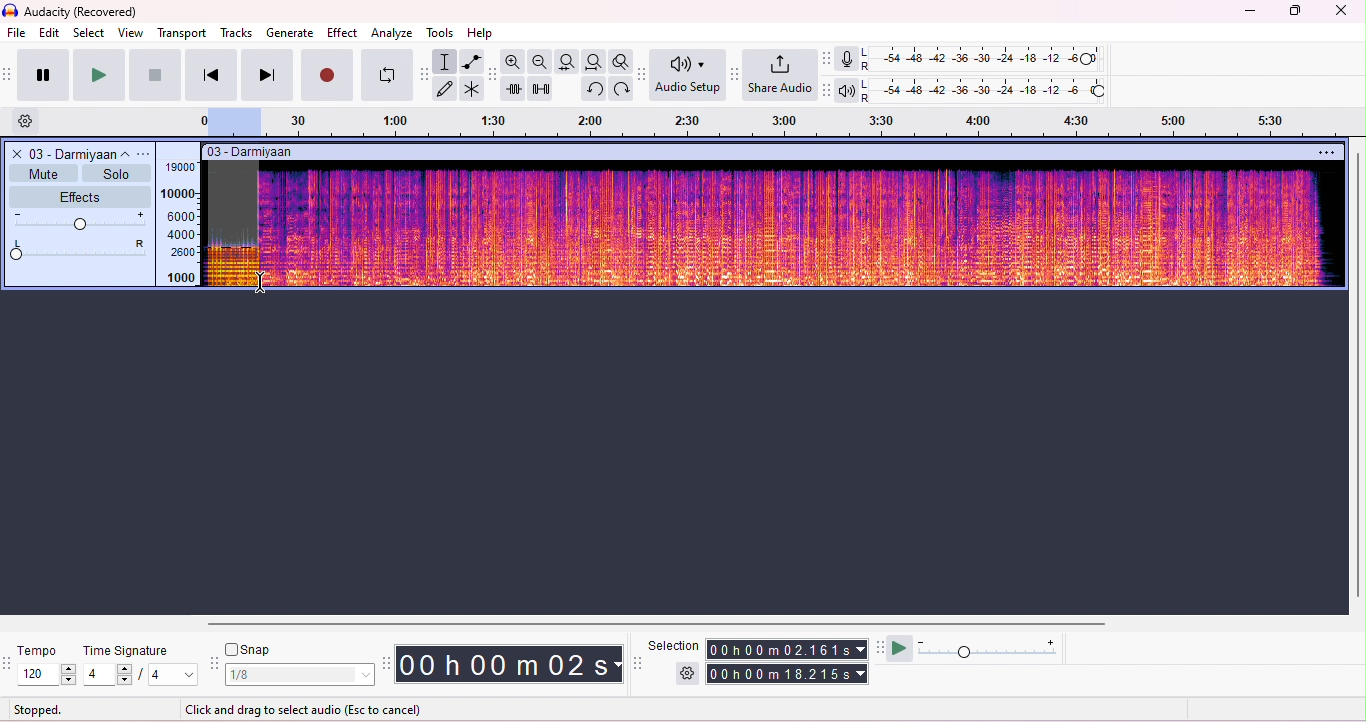 This screenshot has width=1366, height=722. I want to click on selection settings, so click(688, 673).